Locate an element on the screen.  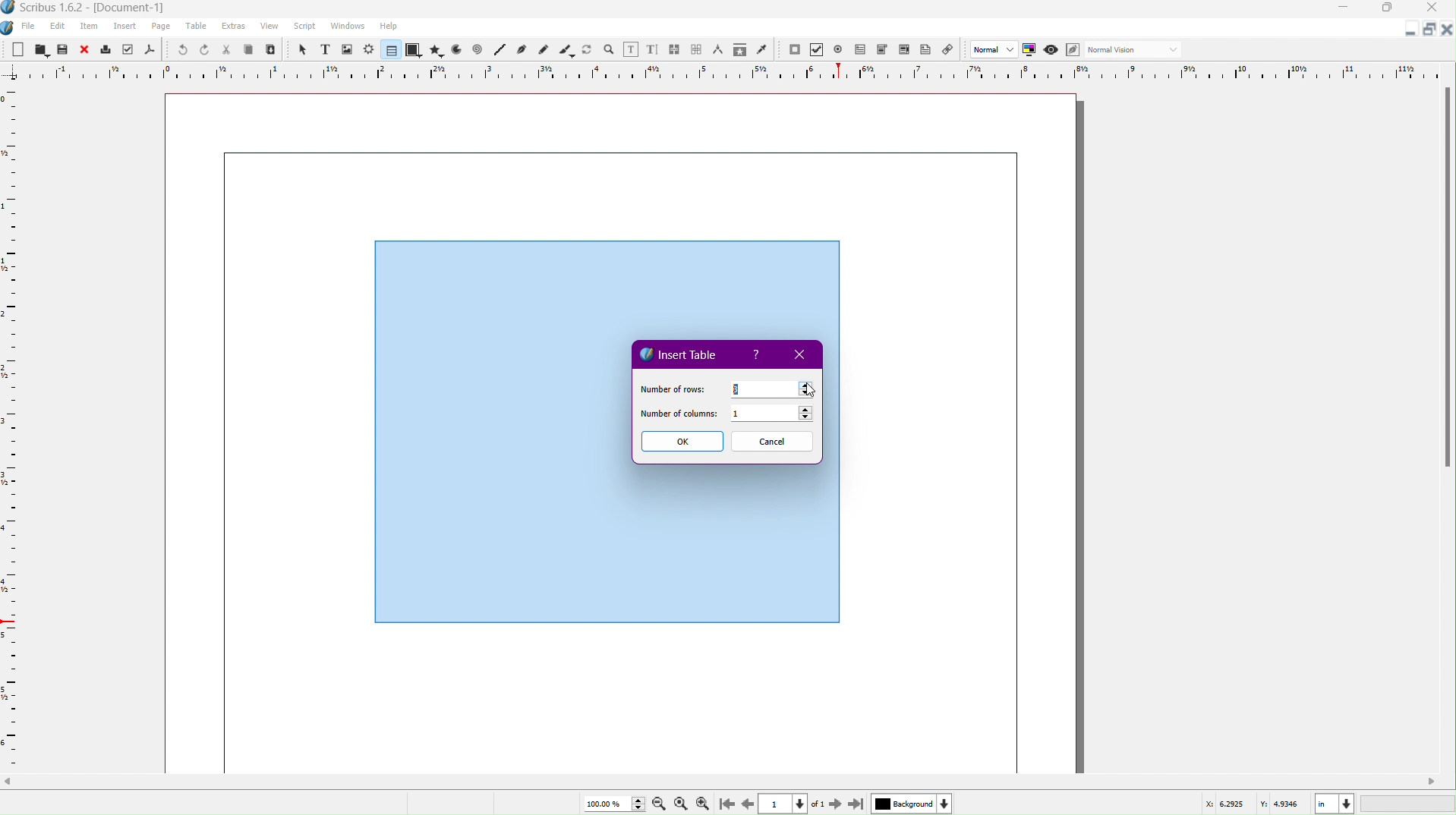
Copy Item Properties is located at coordinates (739, 50).